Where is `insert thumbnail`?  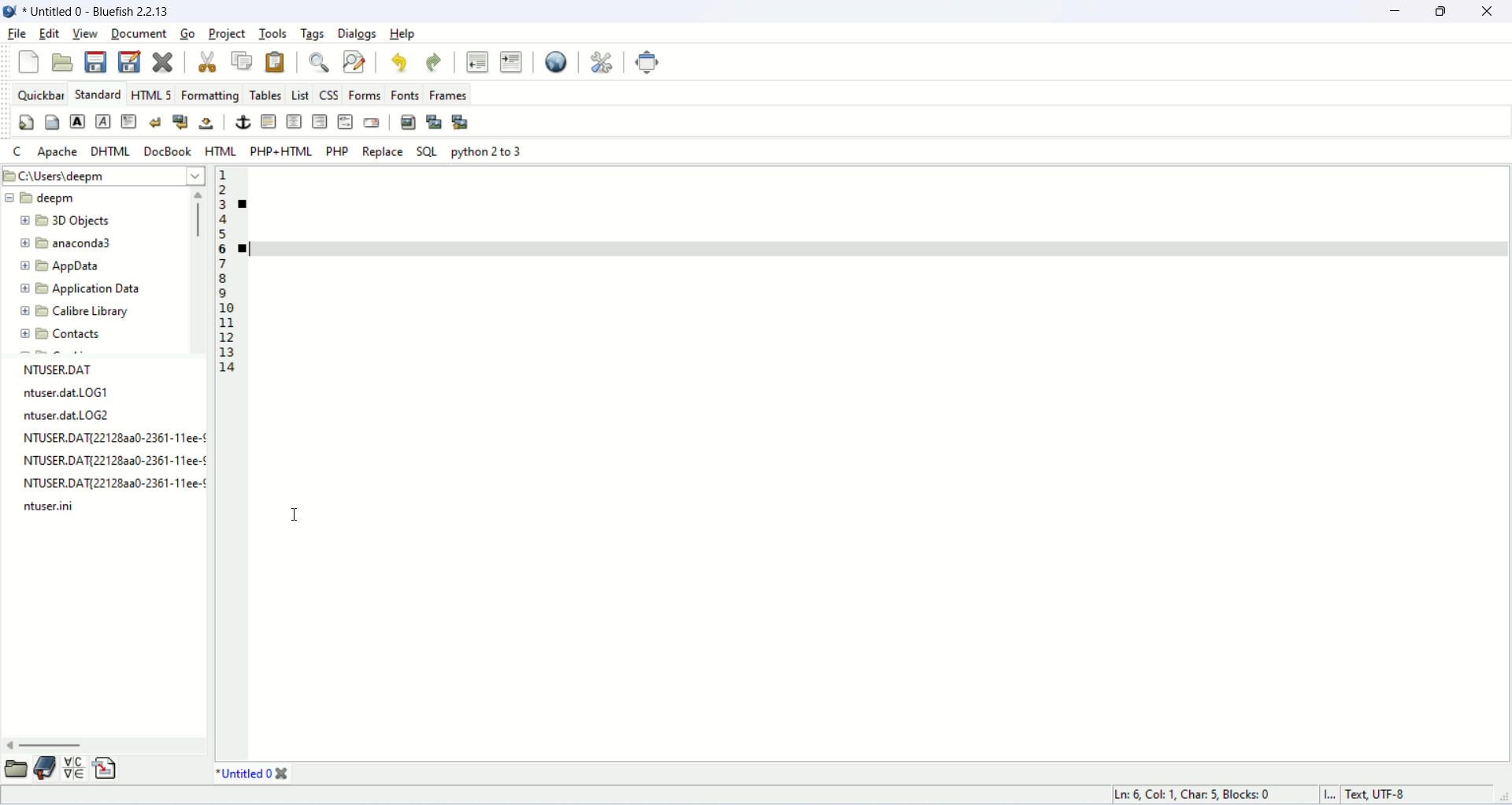 insert thumbnail is located at coordinates (435, 122).